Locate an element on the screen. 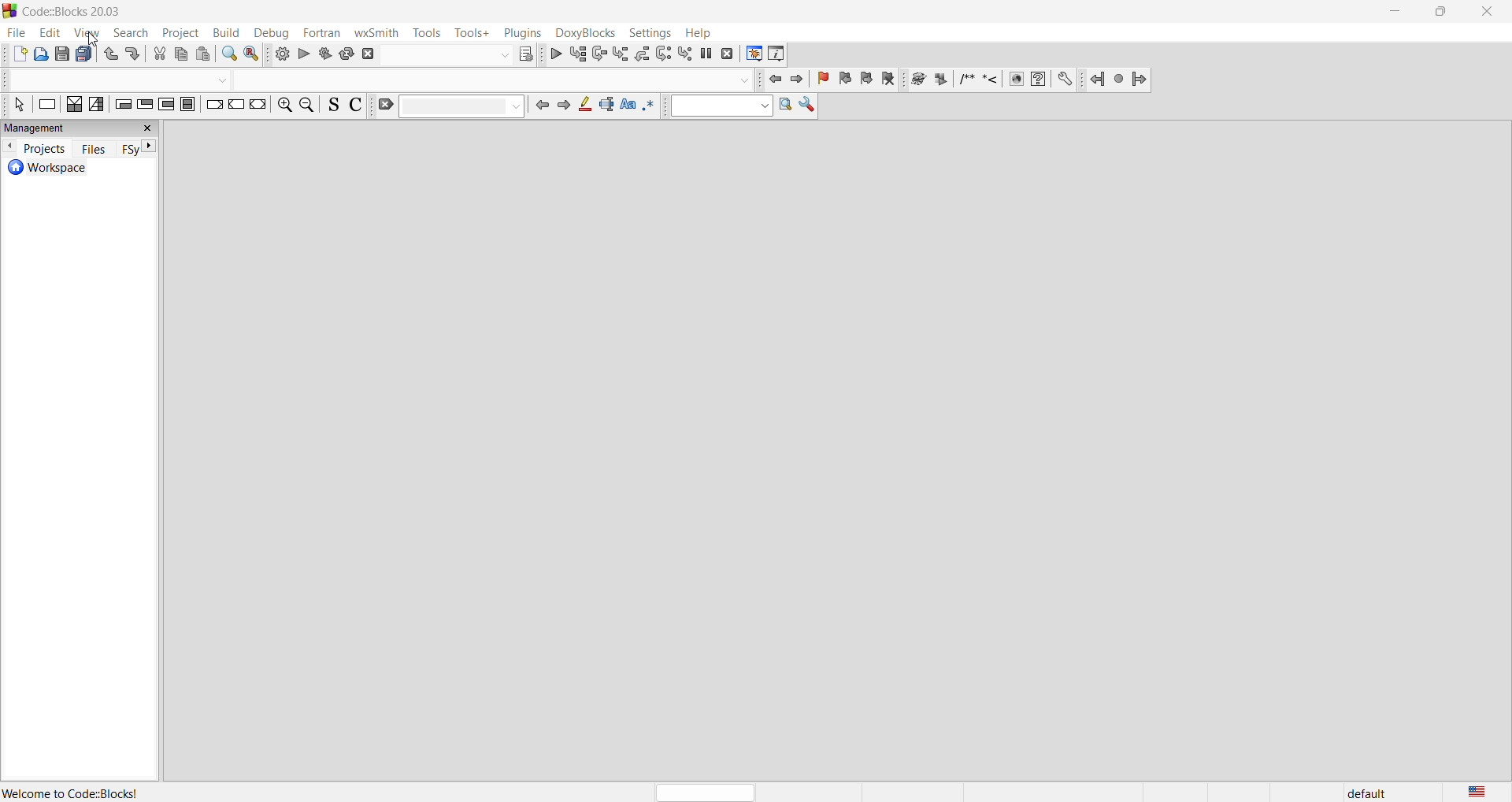 This screenshot has height=802, width=1512. select is located at coordinates (17, 105).